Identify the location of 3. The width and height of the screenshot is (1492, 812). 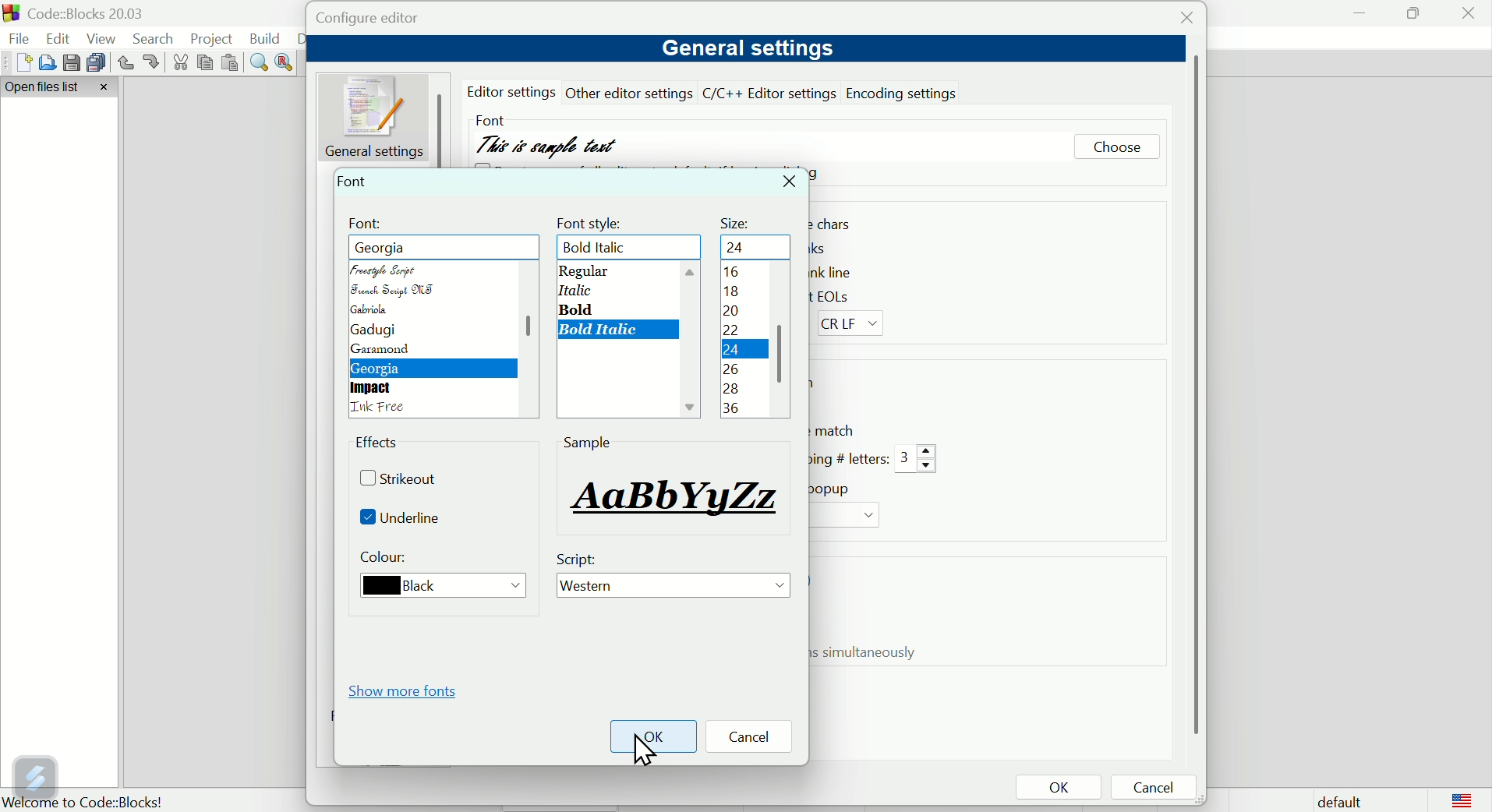
(917, 460).